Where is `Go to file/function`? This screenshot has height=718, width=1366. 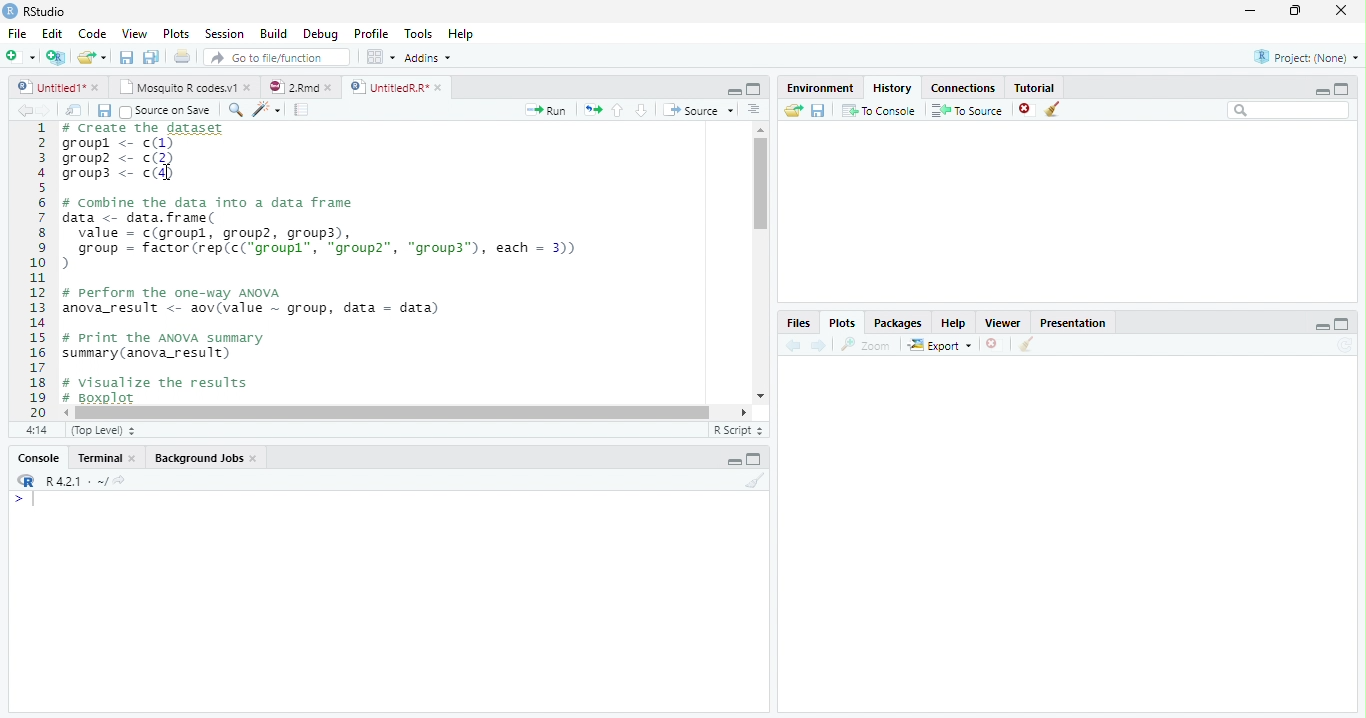
Go to file/function is located at coordinates (277, 58).